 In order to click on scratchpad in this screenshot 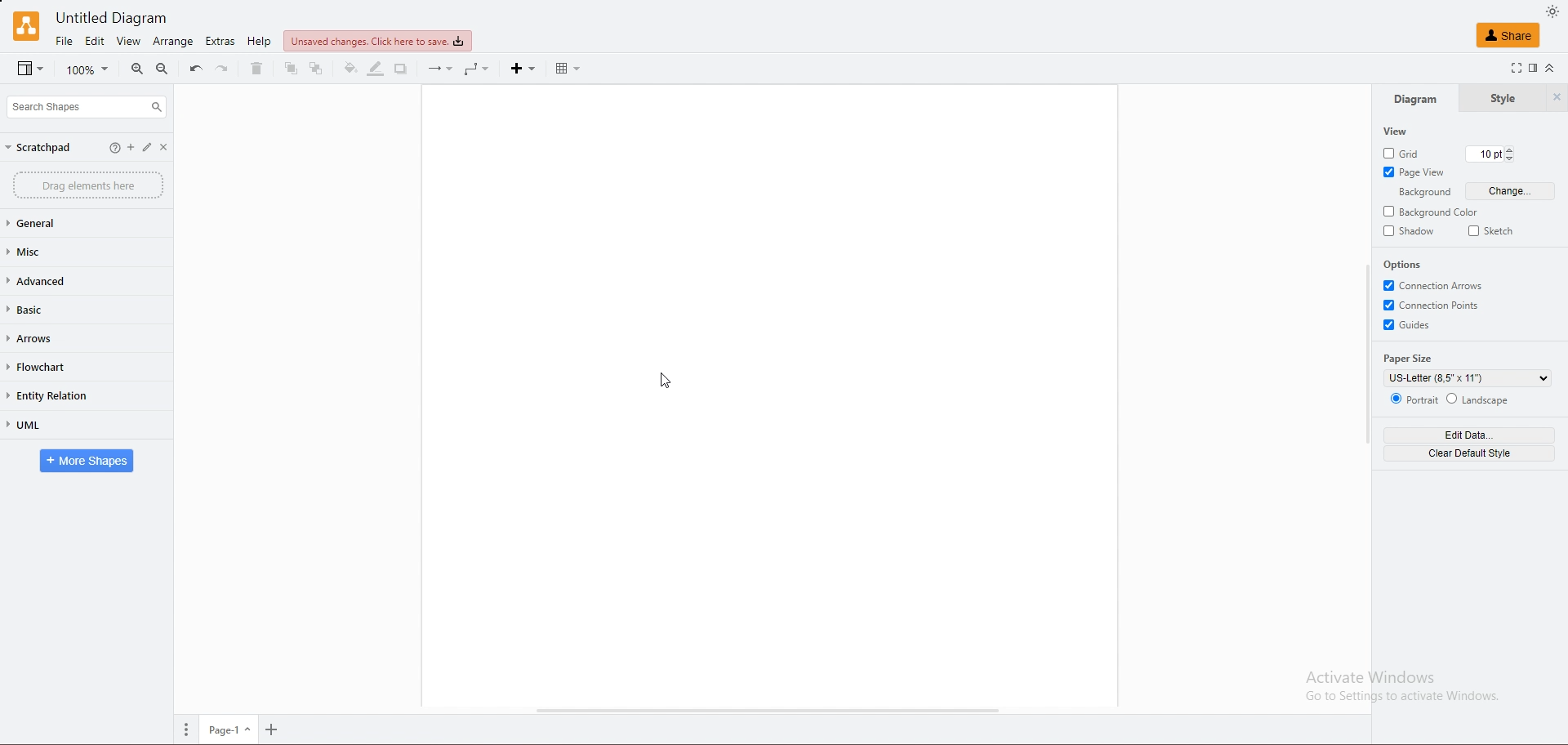, I will do `click(42, 149)`.